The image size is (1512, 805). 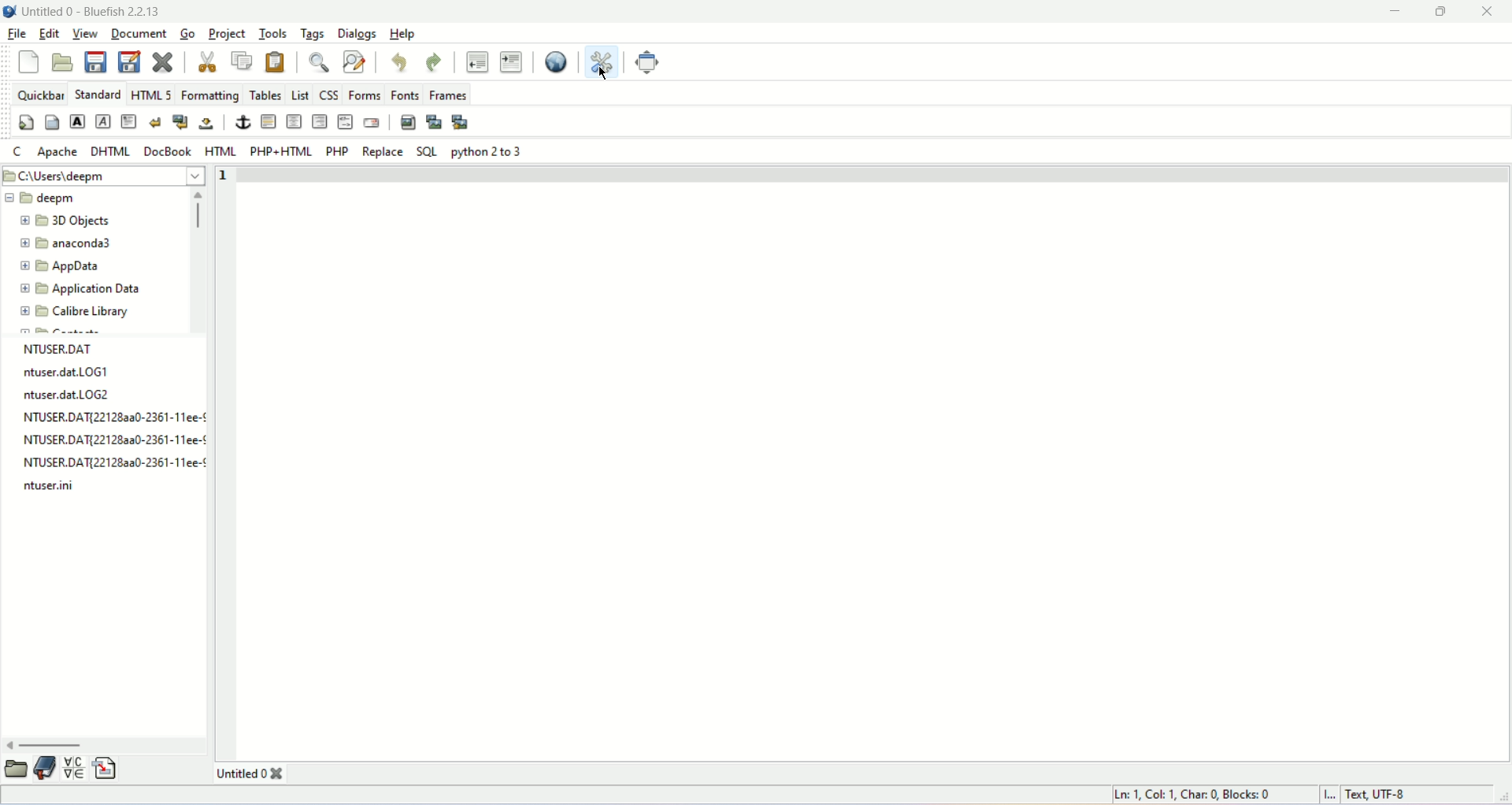 I want to click on dialogs, so click(x=358, y=33).